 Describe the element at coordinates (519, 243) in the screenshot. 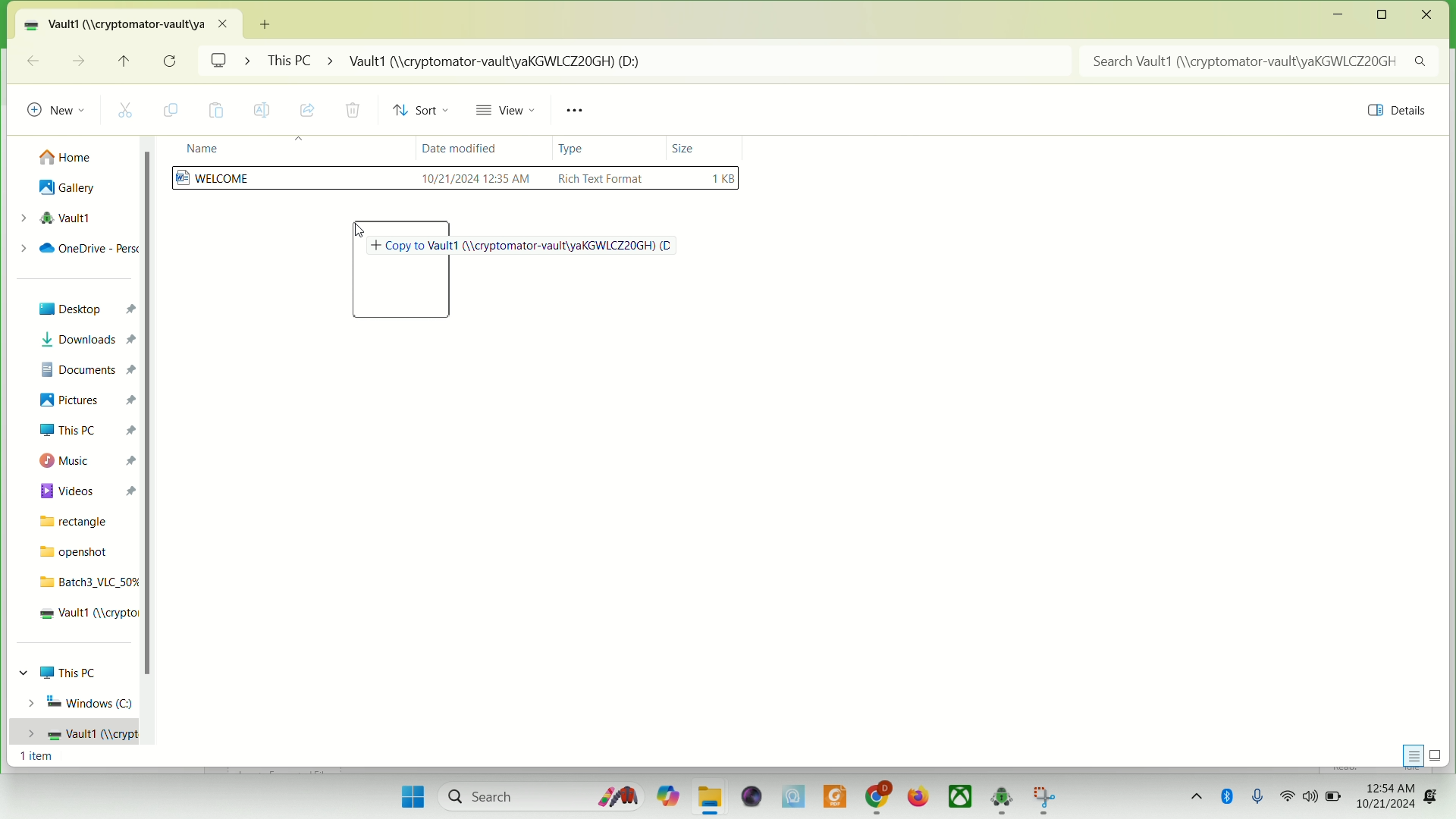

I see `Copy to Vault1 (//cryptomator-vault/yaKGWLCZ20GH)` at that location.